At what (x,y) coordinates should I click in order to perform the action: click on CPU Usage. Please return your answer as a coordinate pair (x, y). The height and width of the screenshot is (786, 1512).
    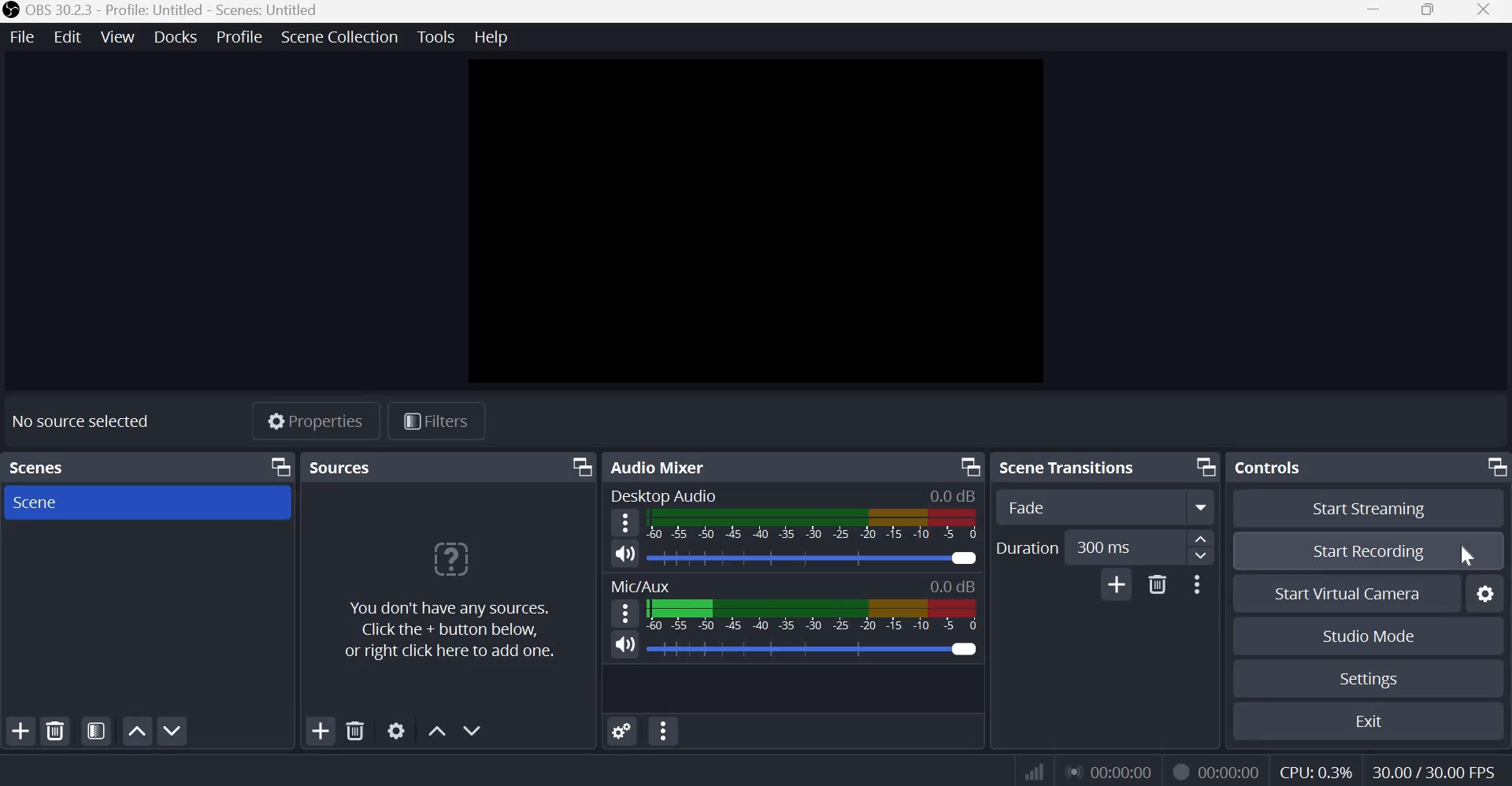
    Looking at the image, I should click on (1317, 769).